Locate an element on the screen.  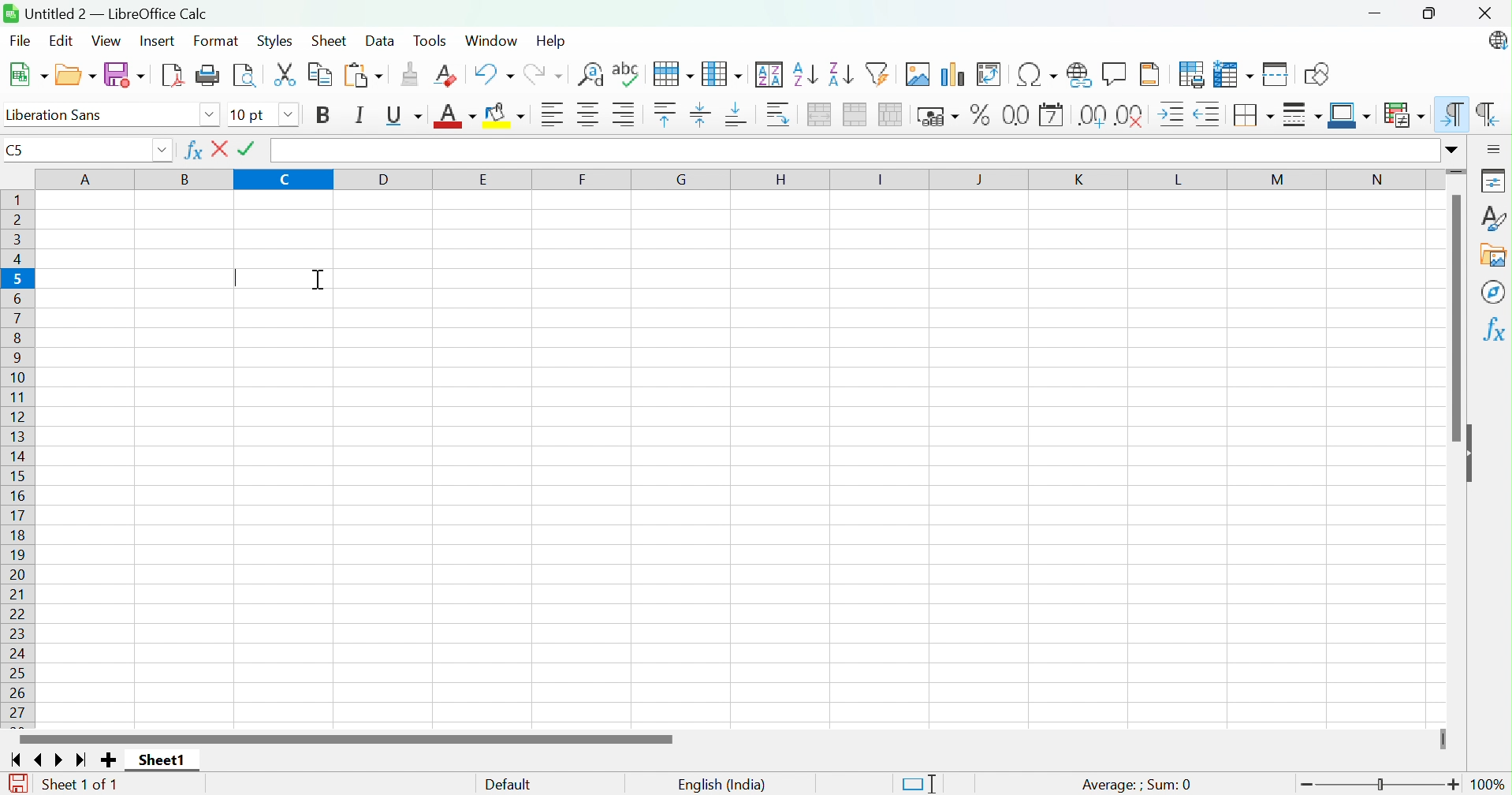
Wrap text is located at coordinates (783, 115).